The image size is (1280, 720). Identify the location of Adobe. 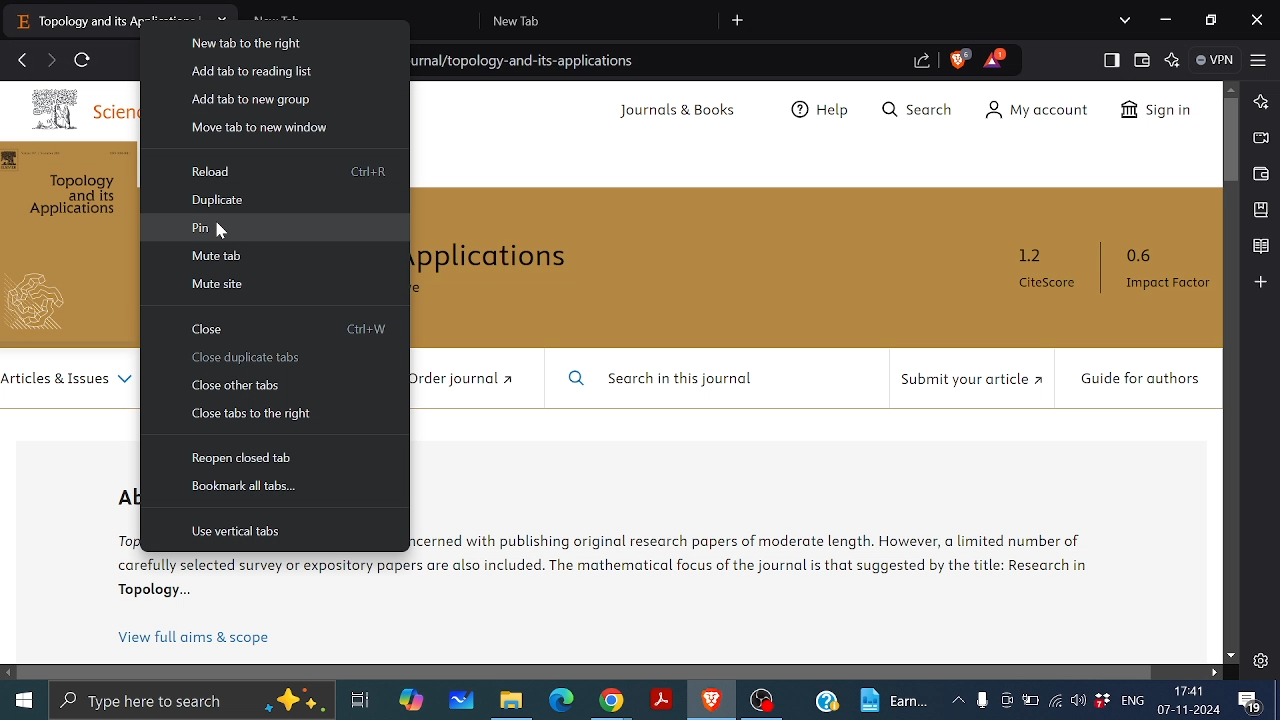
(659, 701).